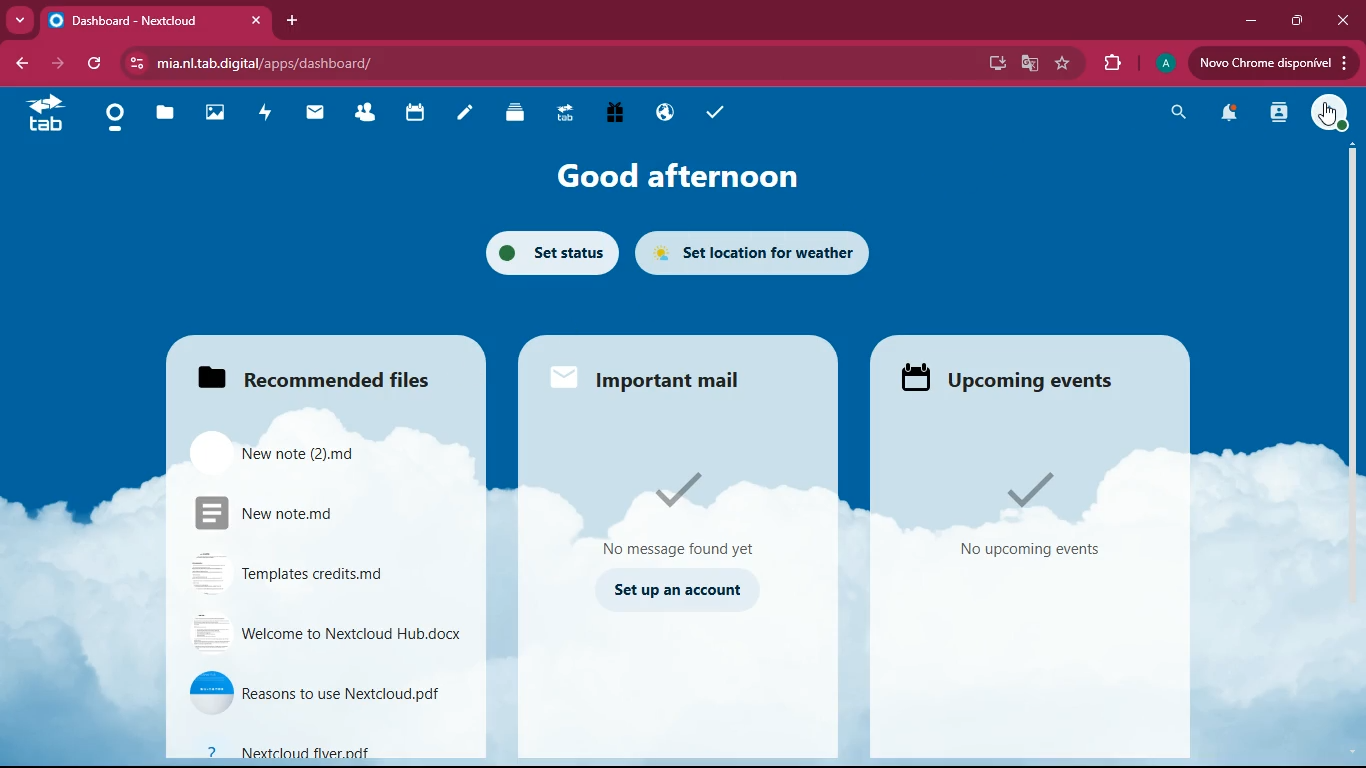  What do you see at coordinates (1030, 515) in the screenshot?
I see `events` at bounding box center [1030, 515].